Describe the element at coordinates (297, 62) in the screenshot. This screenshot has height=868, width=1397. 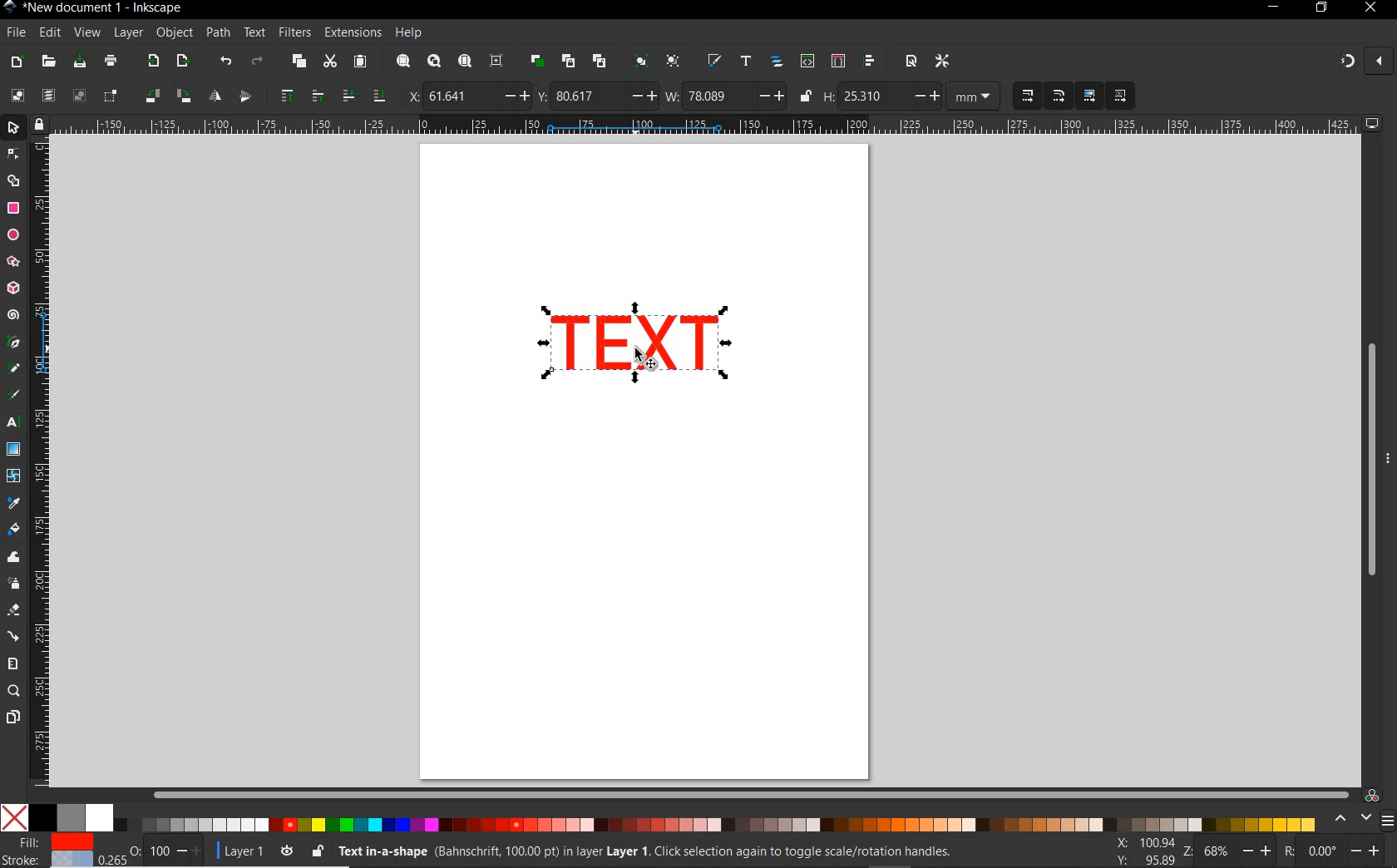
I see `copy` at that location.